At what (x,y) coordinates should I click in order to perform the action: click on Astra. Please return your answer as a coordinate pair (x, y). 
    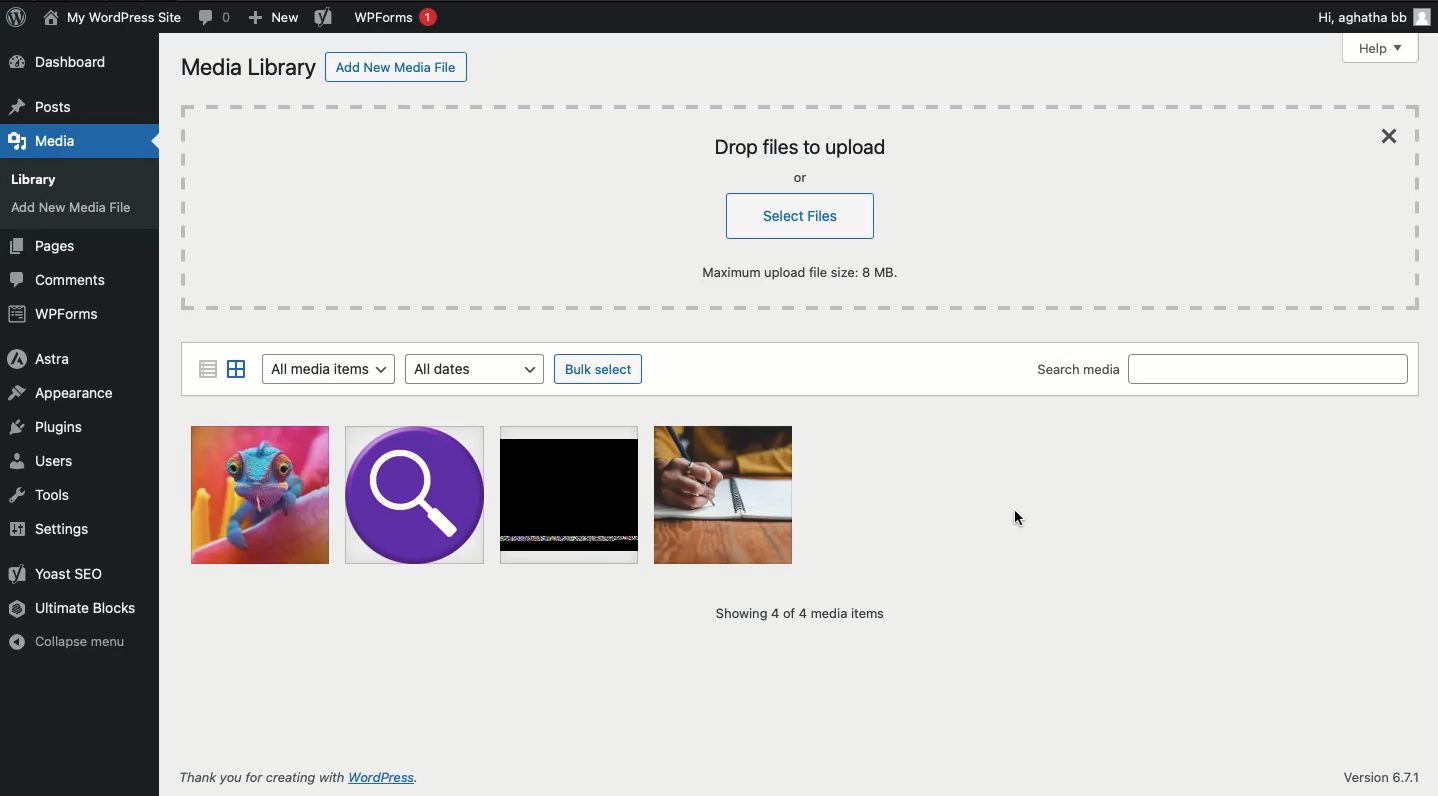
    Looking at the image, I should click on (38, 359).